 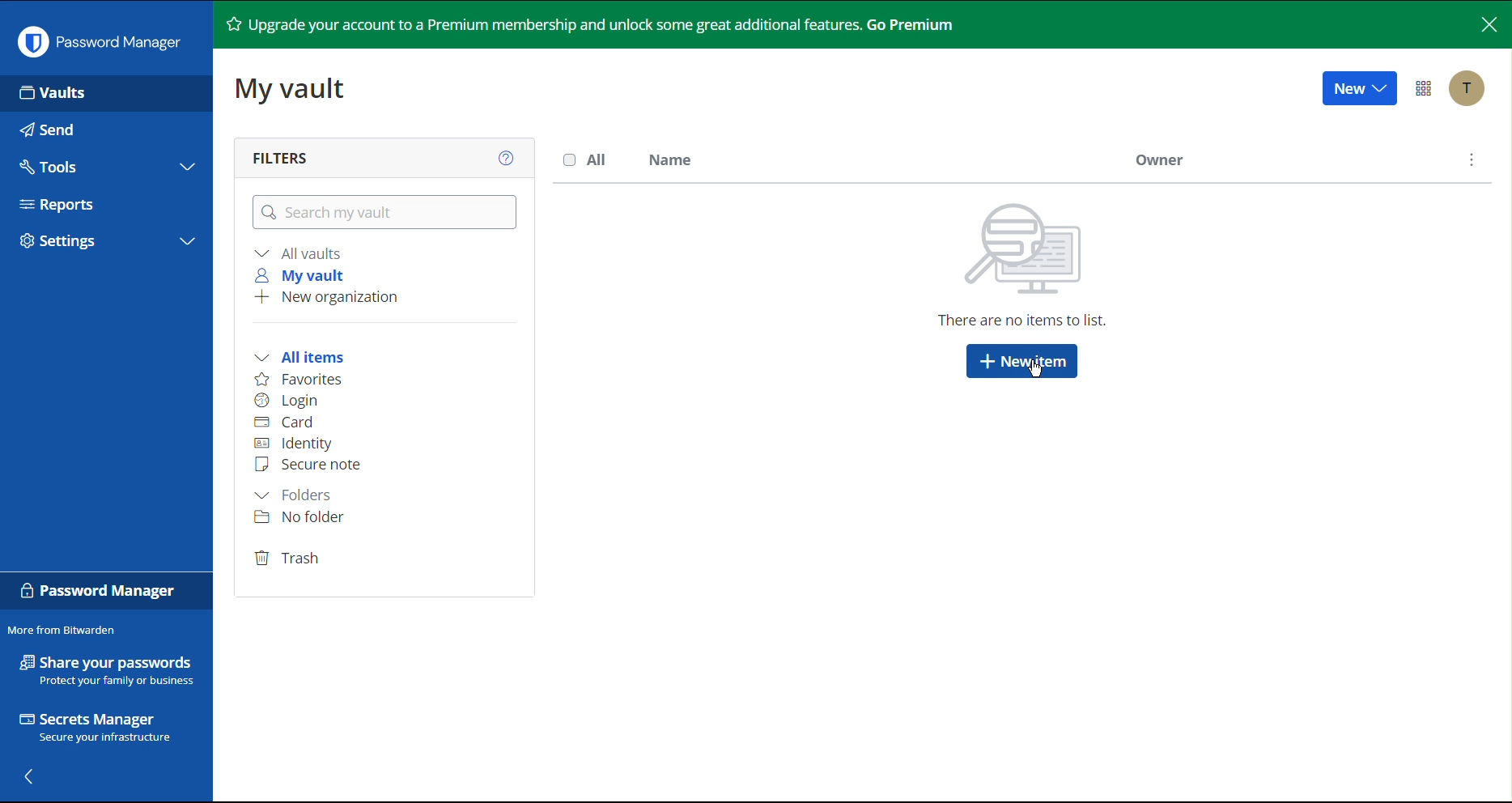 What do you see at coordinates (290, 559) in the screenshot?
I see `Trash` at bounding box center [290, 559].